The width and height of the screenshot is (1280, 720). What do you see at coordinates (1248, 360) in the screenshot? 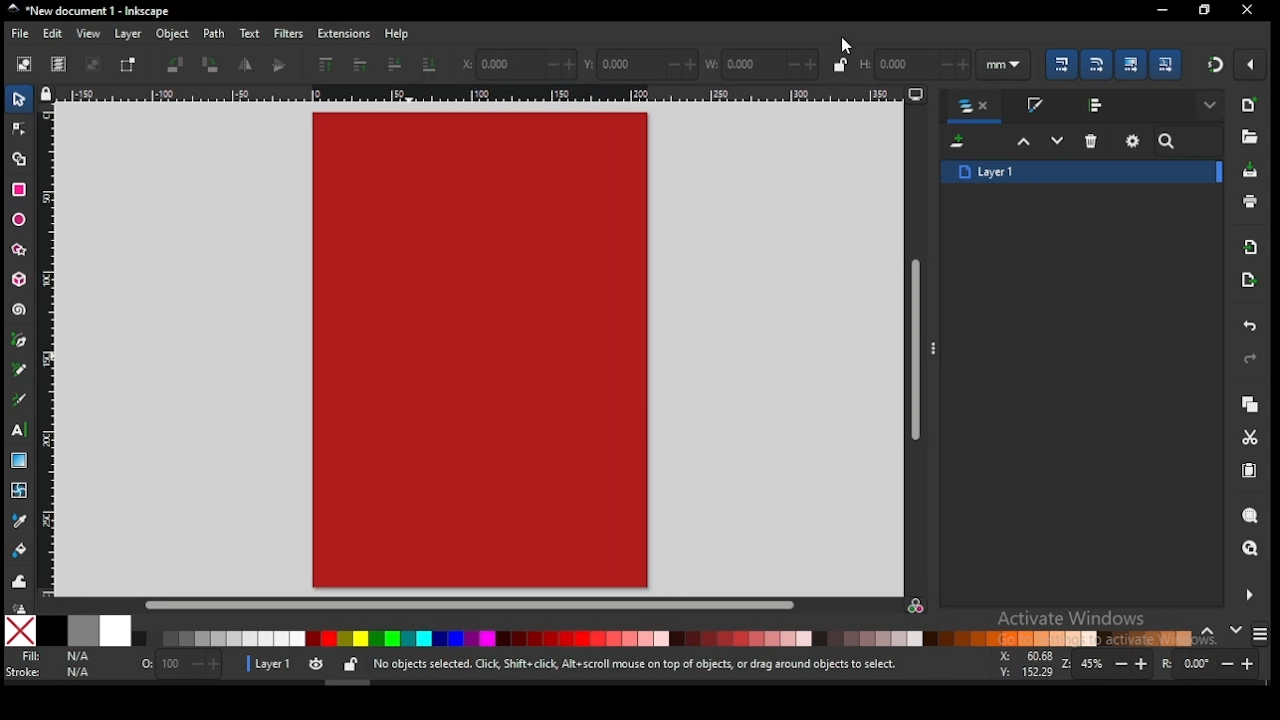
I see `redo` at bounding box center [1248, 360].